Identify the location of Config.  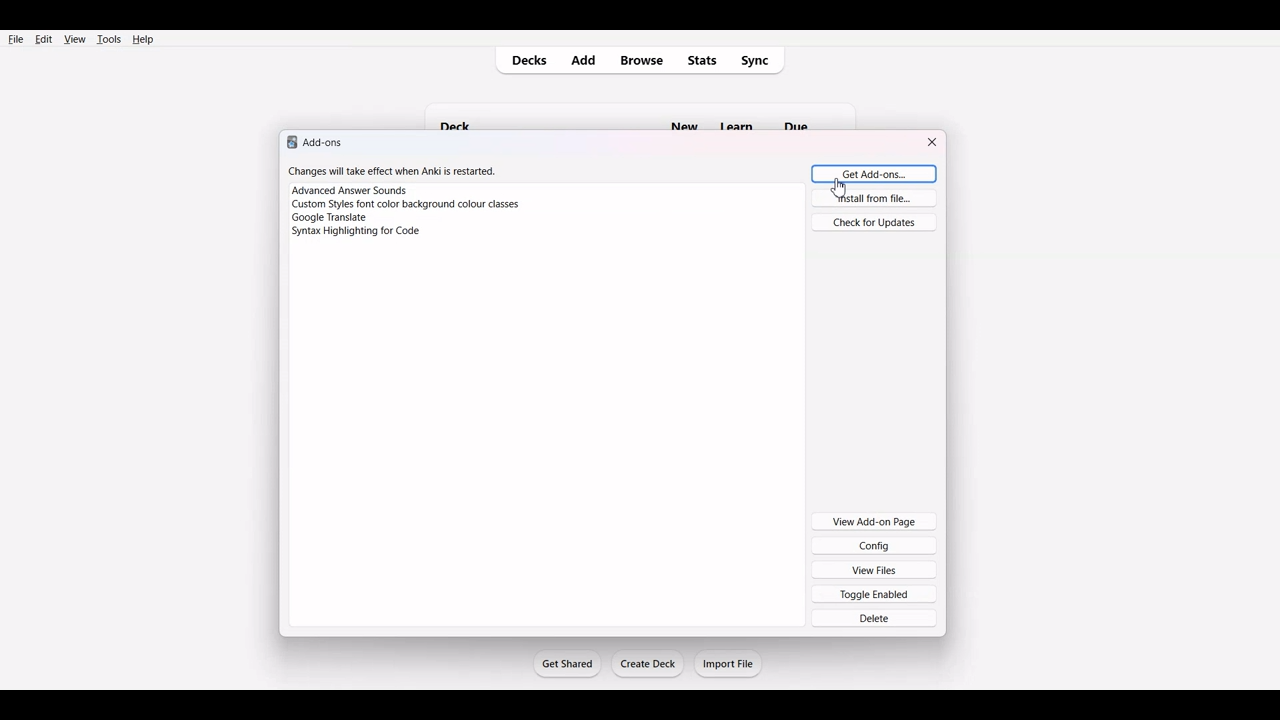
(874, 545).